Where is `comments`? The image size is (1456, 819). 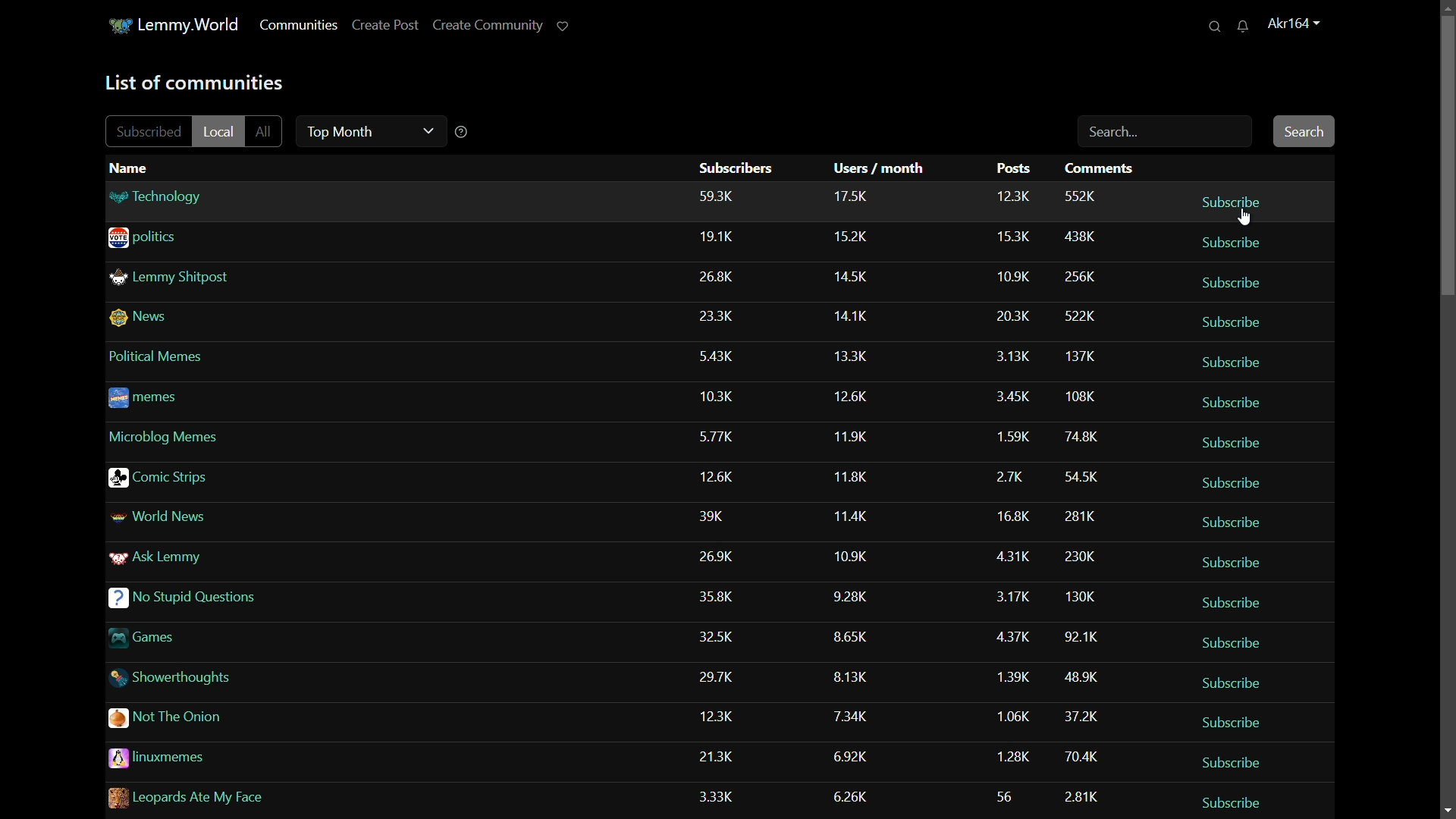 comments is located at coordinates (1084, 193).